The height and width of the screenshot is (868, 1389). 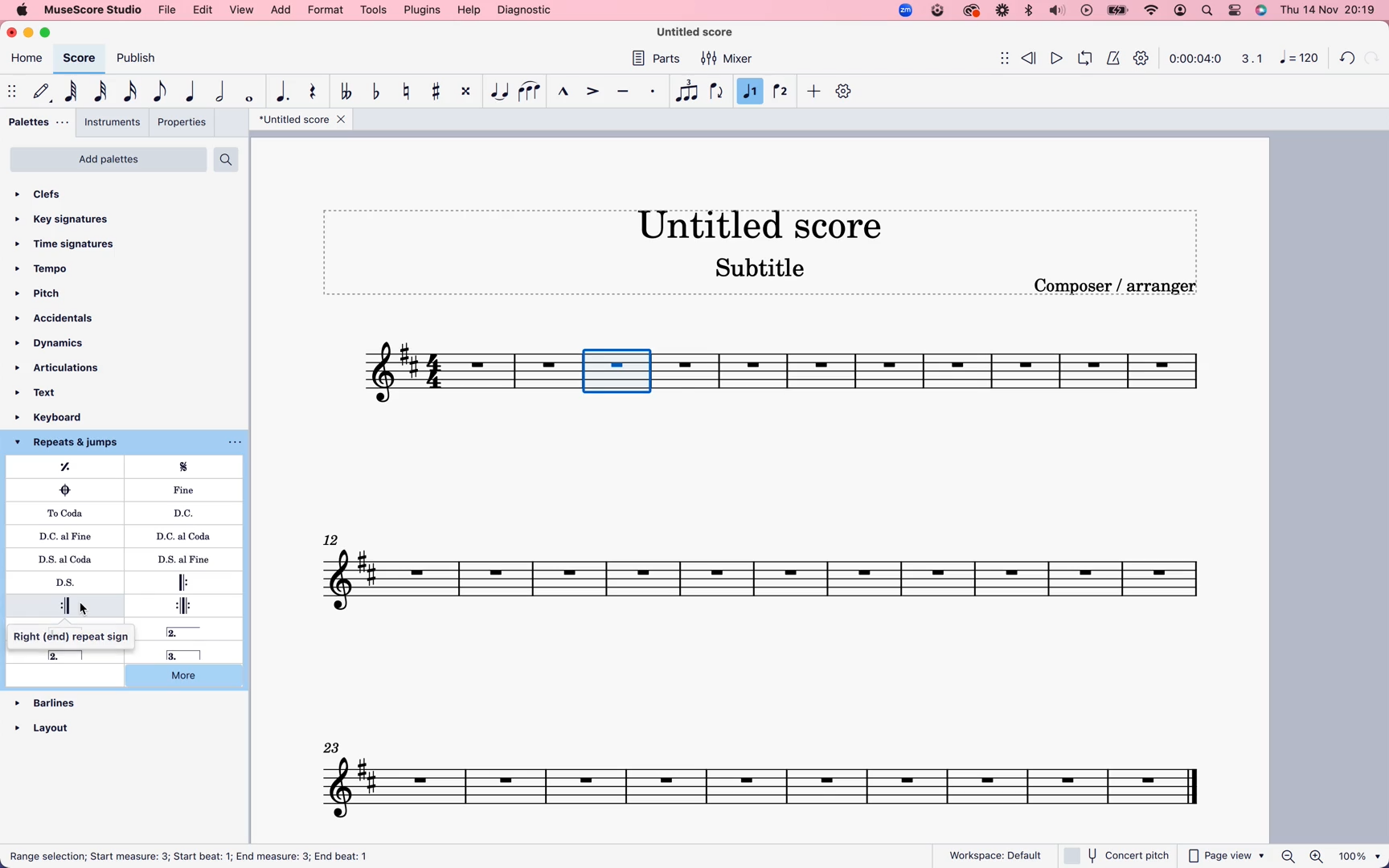 I want to click on more, so click(x=193, y=678).